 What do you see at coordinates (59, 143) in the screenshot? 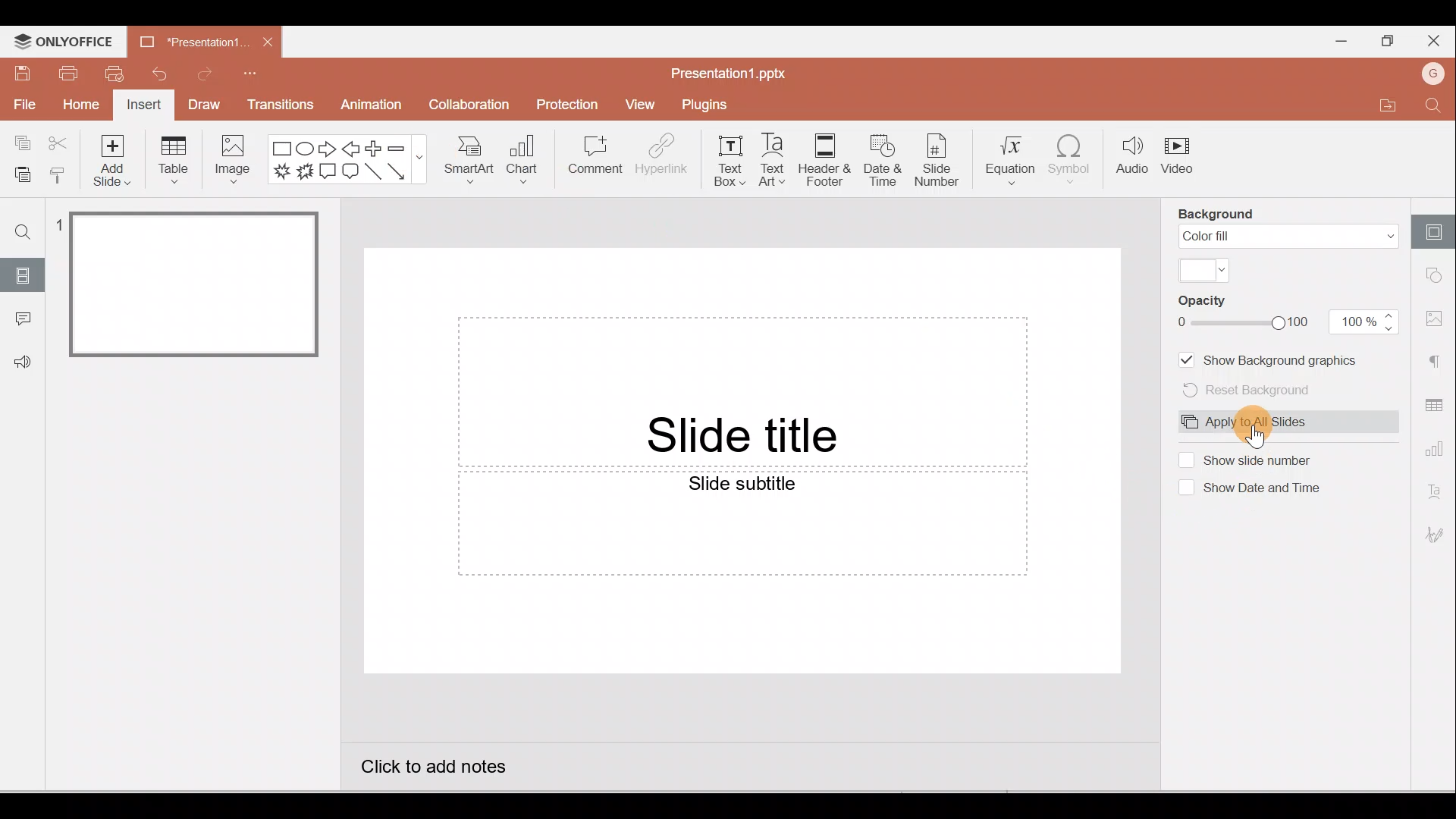
I see `Cut` at bounding box center [59, 143].